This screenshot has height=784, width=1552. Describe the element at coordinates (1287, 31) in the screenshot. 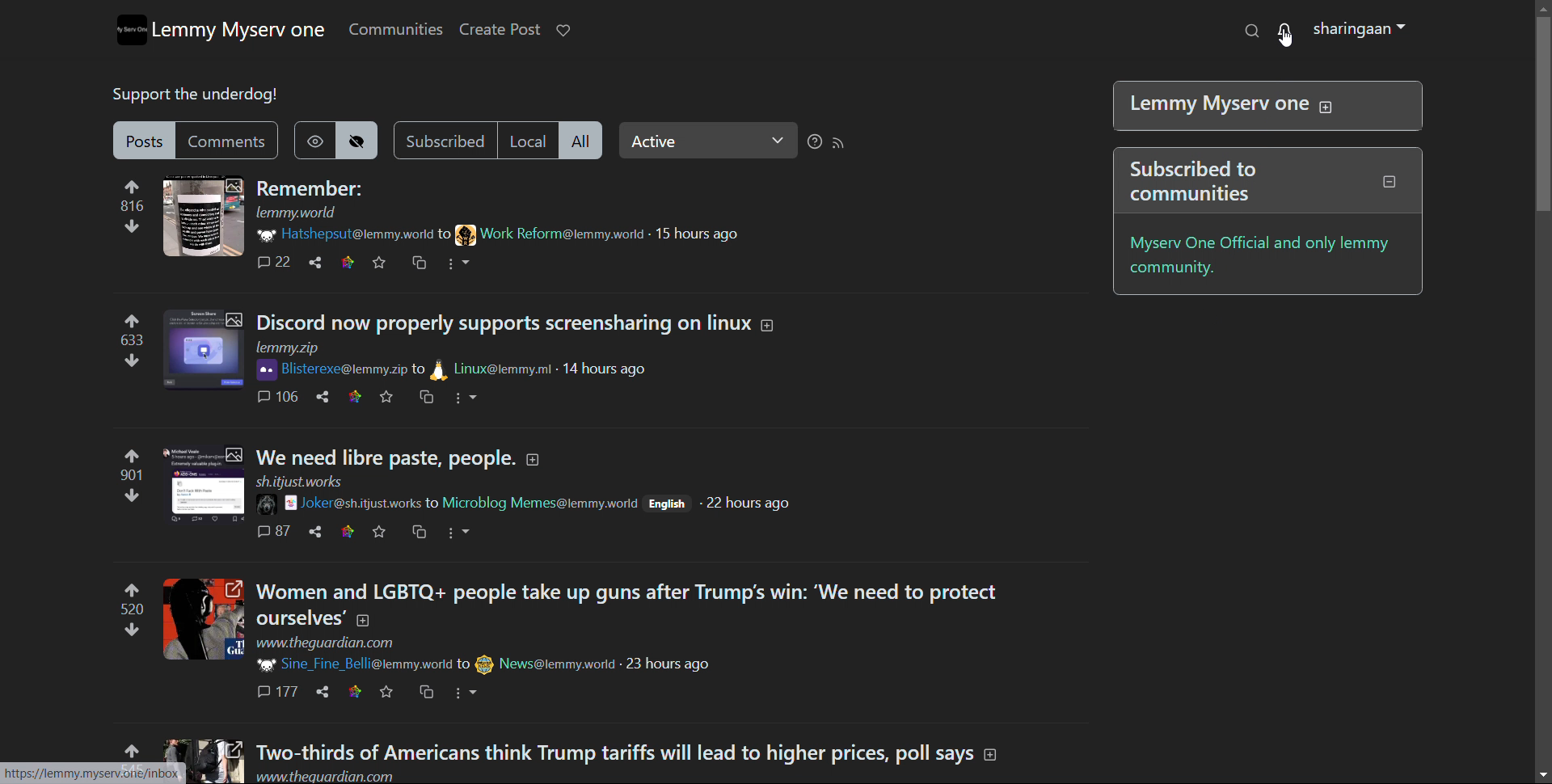

I see `notification` at that location.